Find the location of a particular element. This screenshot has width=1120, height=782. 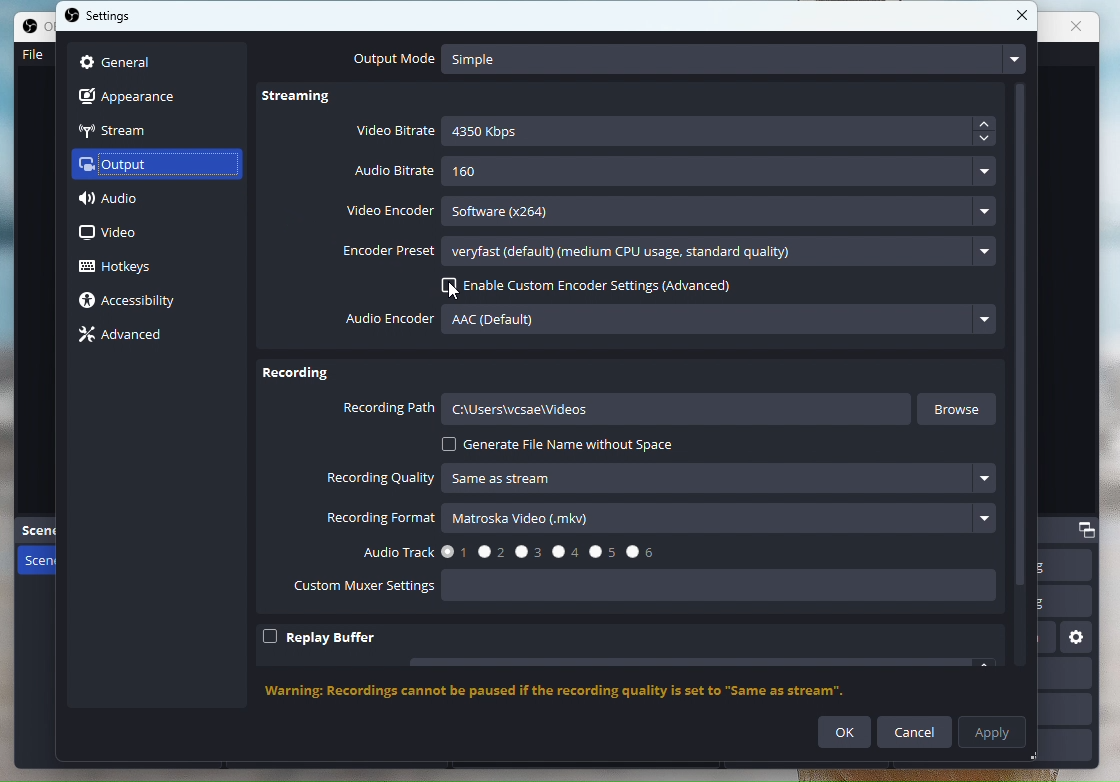

Browse is located at coordinates (962, 411).